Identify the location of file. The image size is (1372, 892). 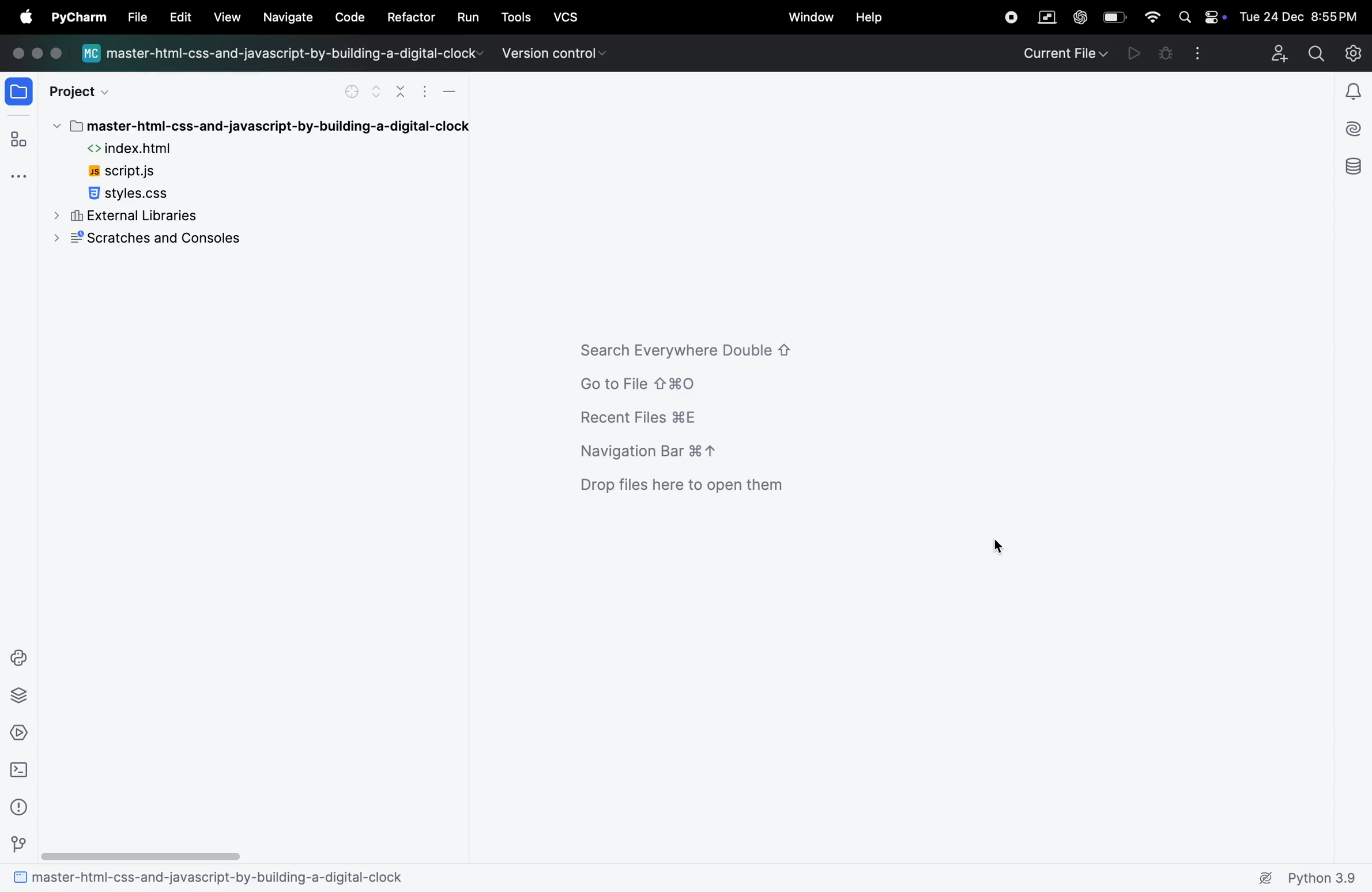
(20, 90).